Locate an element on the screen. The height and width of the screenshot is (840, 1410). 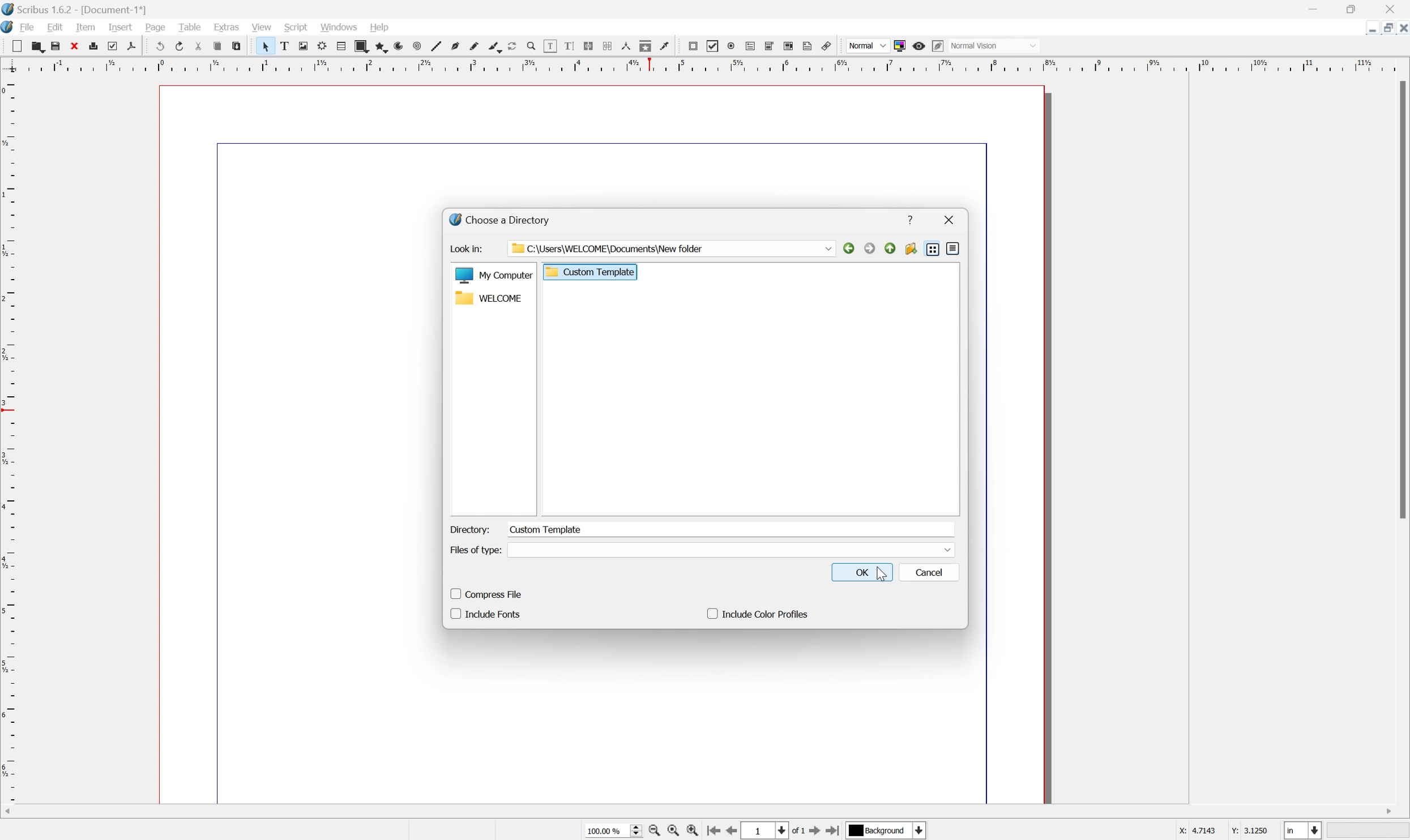
Close is located at coordinates (1401, 29).